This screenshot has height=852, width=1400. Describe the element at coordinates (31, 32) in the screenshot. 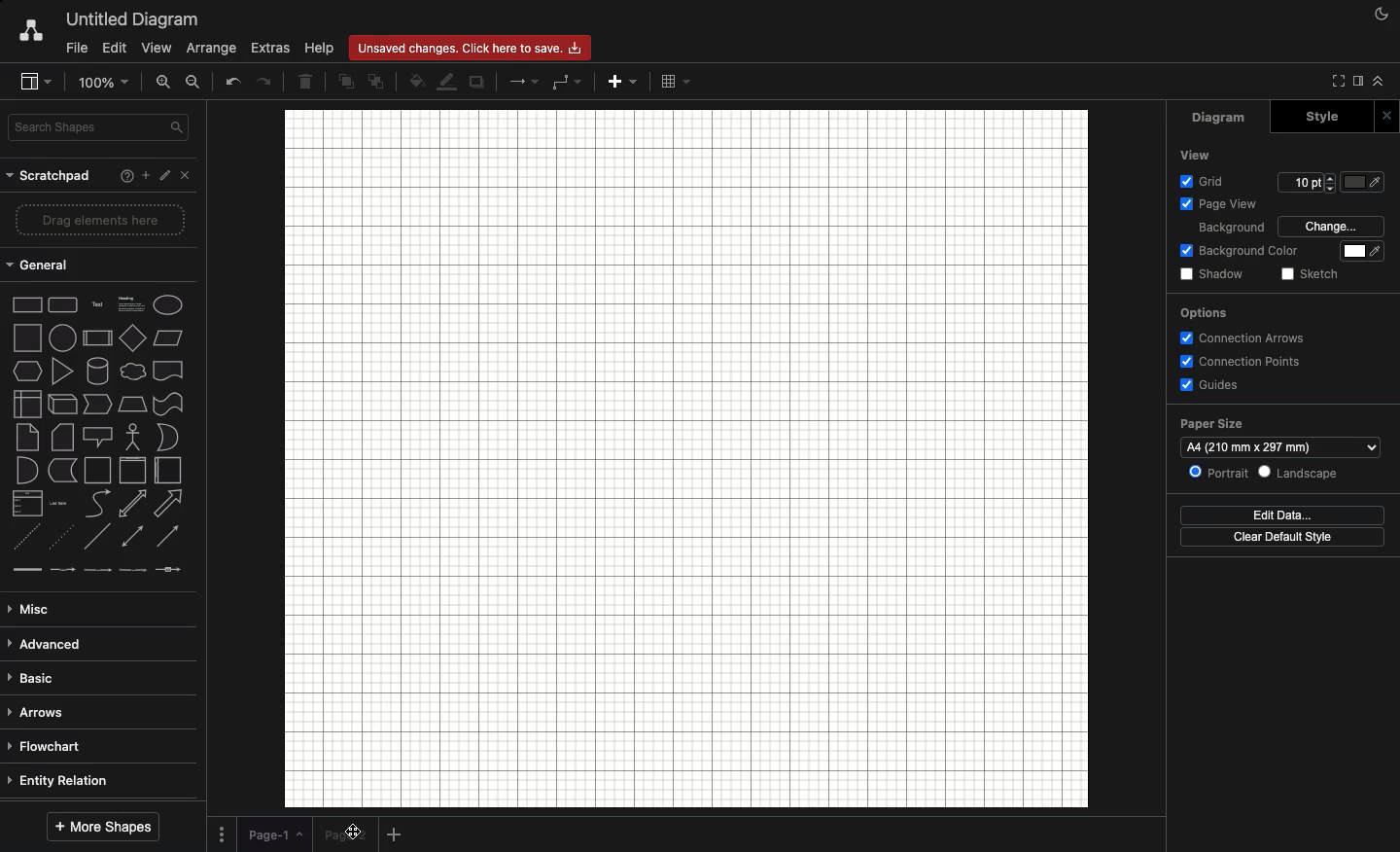

I see `Draw.io logo` at that location.